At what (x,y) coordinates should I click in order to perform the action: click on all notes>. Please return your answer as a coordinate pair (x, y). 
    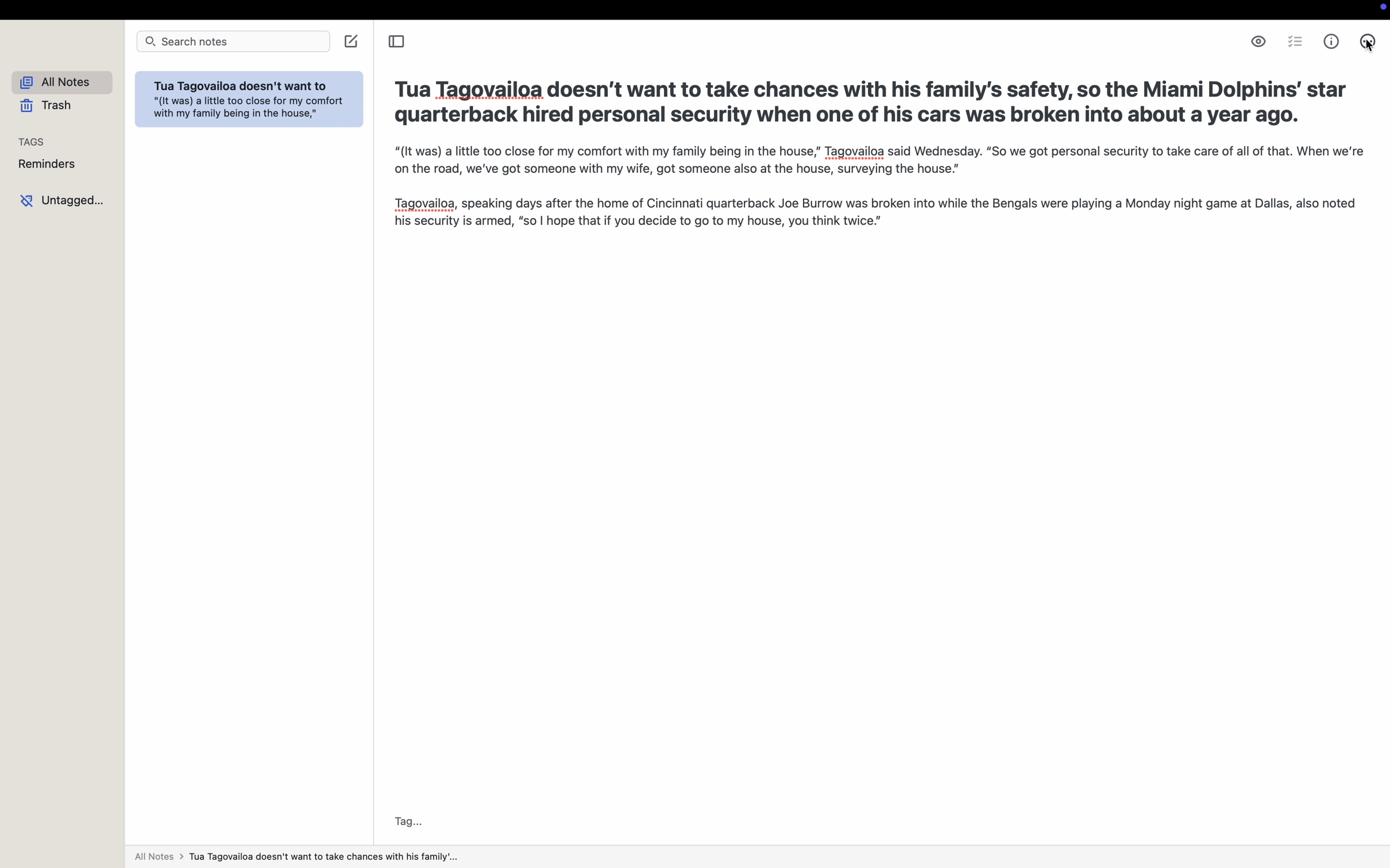
    Looking at the image, I should click on (298, 859).